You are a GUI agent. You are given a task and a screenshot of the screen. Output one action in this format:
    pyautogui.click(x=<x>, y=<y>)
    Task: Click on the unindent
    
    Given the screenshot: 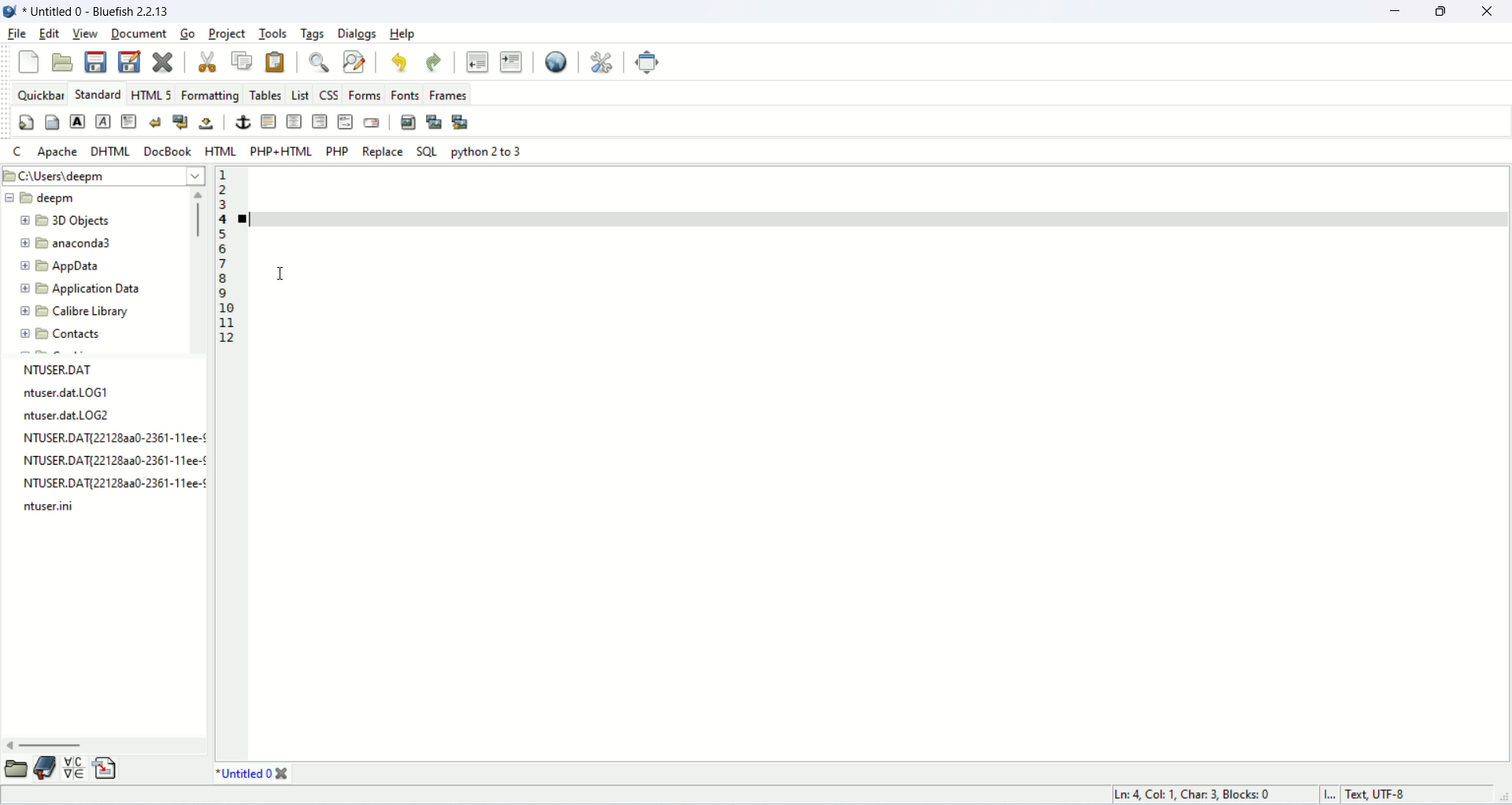 What is the action you would take?
    pyautogui.click(x=477, y=64)
    